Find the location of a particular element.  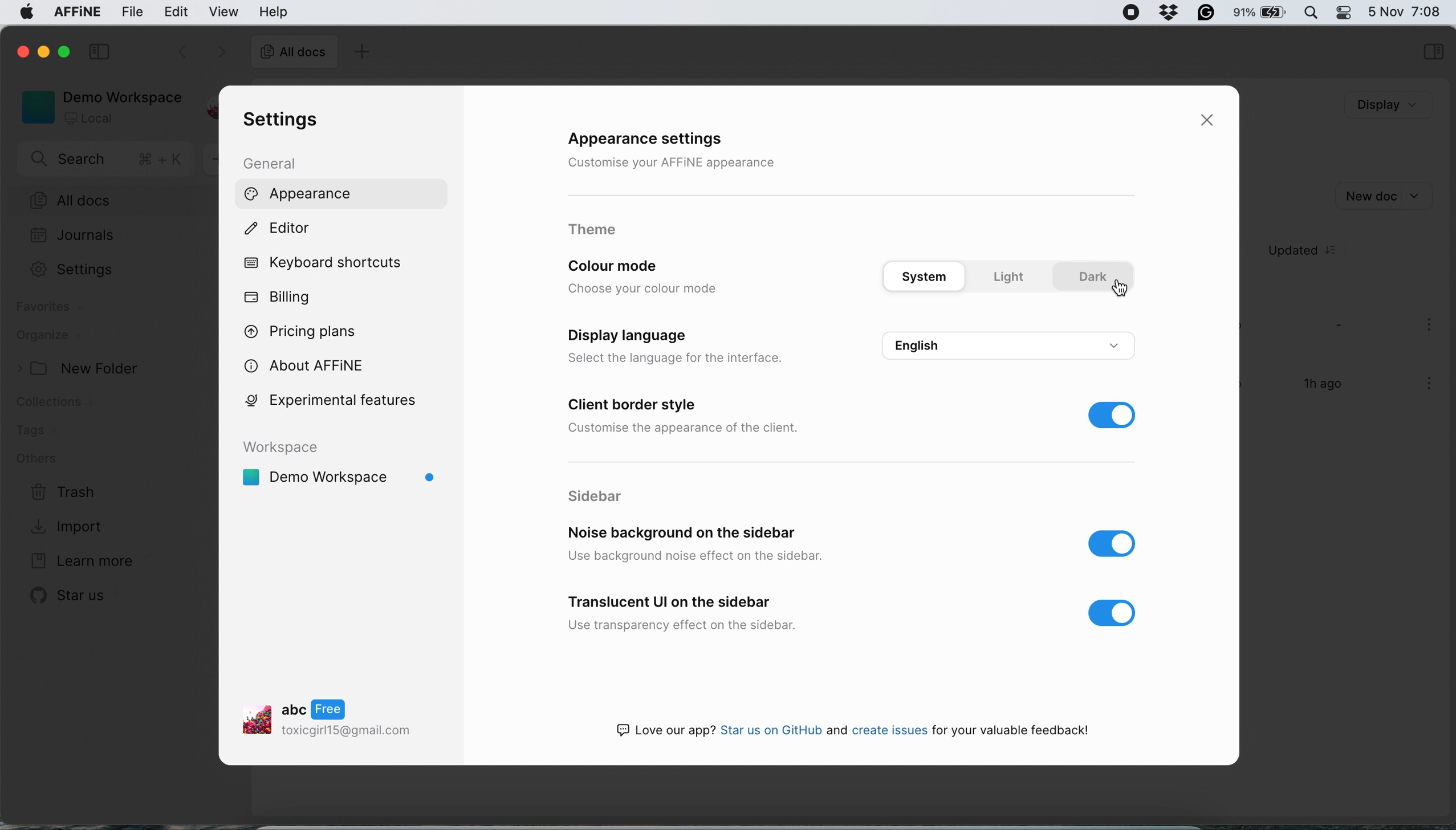

about is located at coordinates (311, 365).